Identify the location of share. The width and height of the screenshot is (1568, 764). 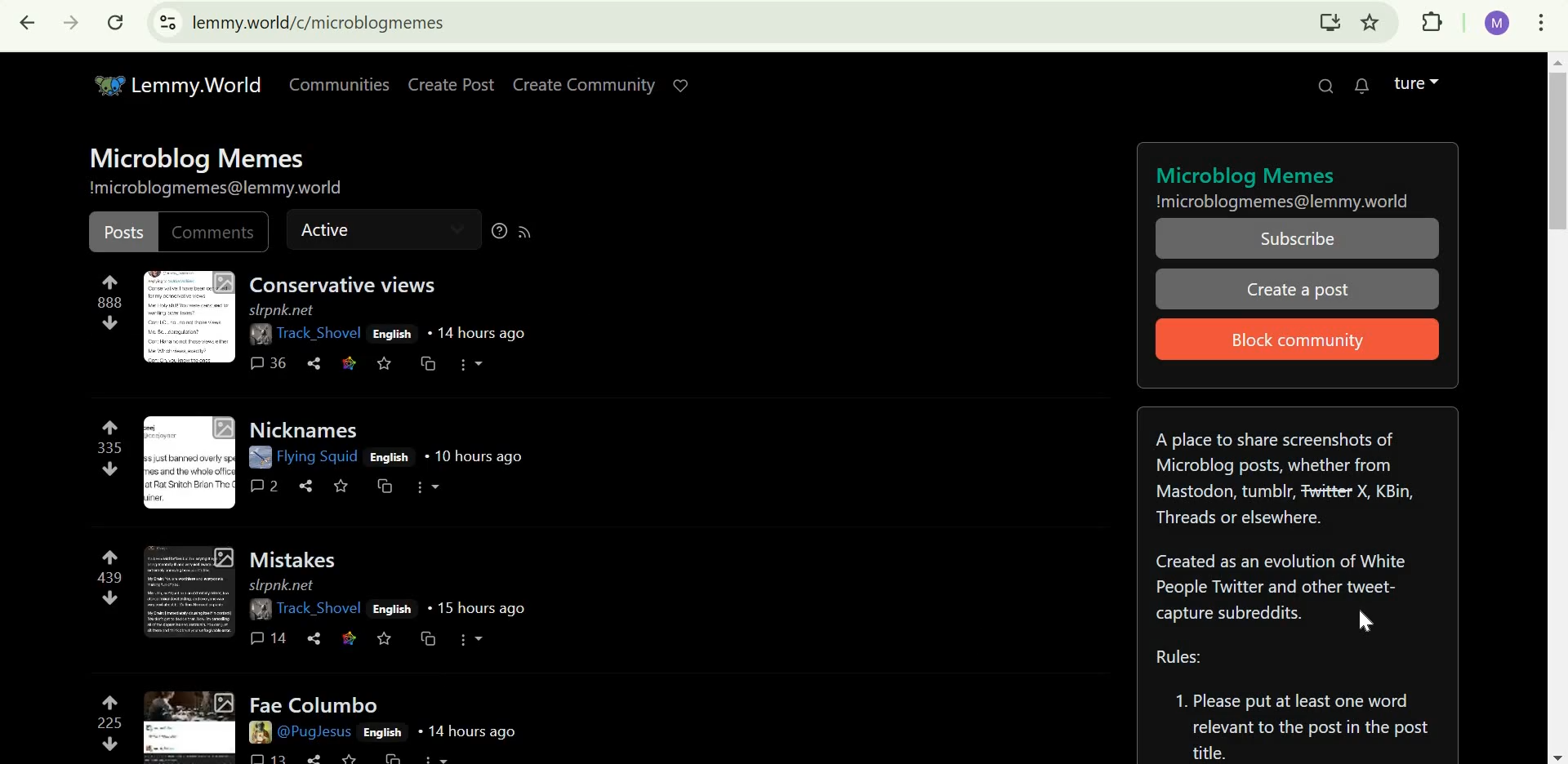
(316, 639).